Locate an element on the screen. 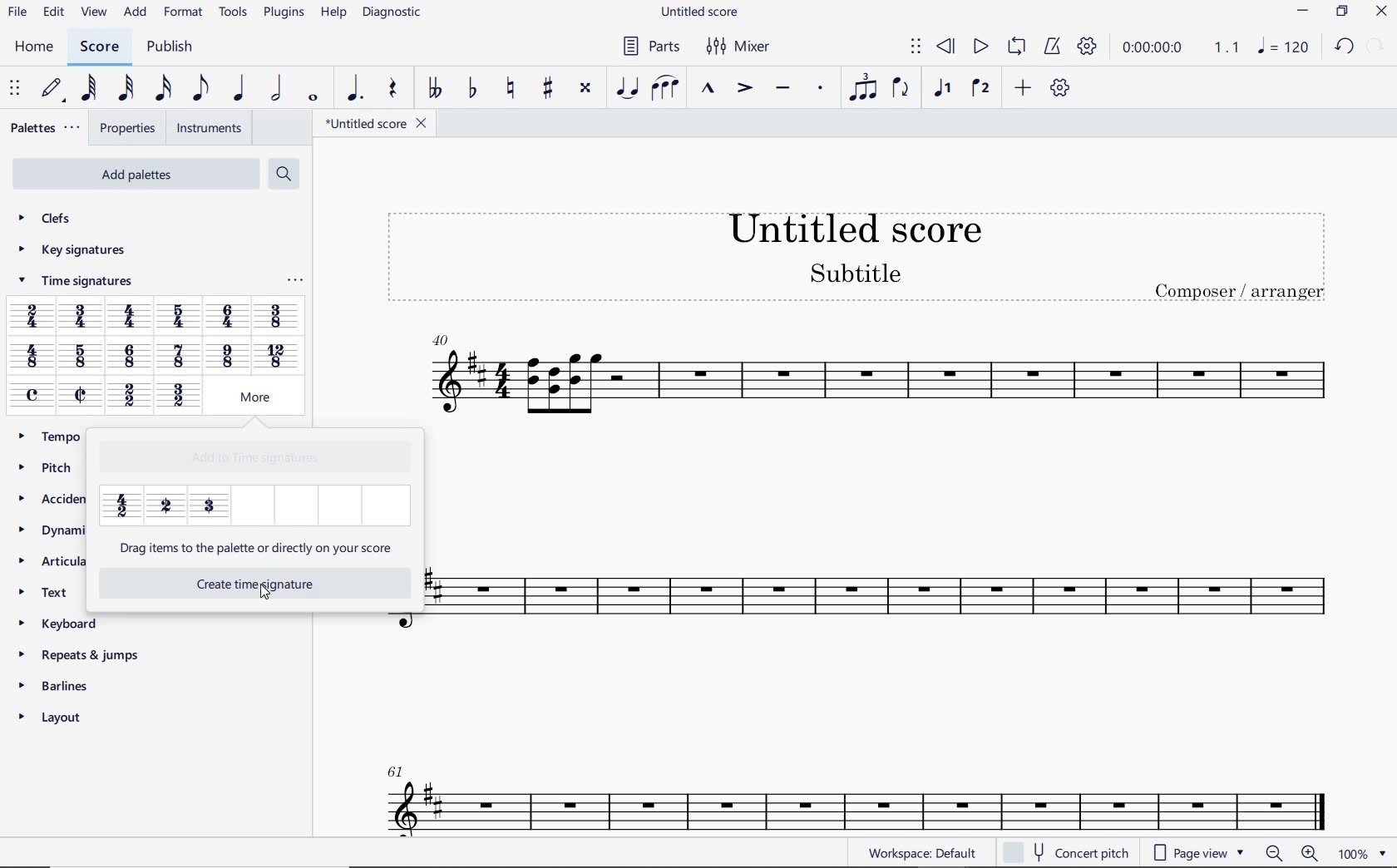  EDIT is located at coordinates (54, 12).